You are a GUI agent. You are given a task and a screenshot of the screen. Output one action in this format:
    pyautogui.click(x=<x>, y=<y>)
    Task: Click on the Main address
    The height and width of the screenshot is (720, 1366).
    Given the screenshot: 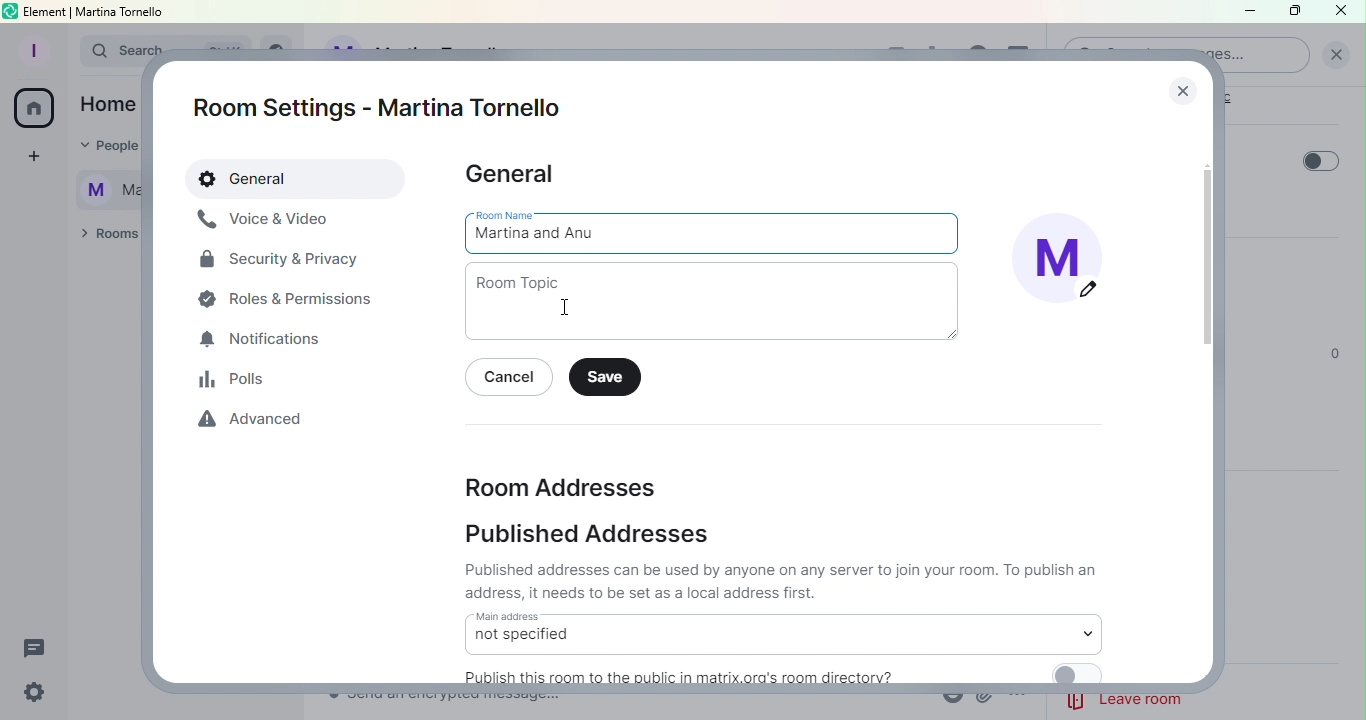 What is the action you would take?
    pyautogui.click(x=782, y=633)
    